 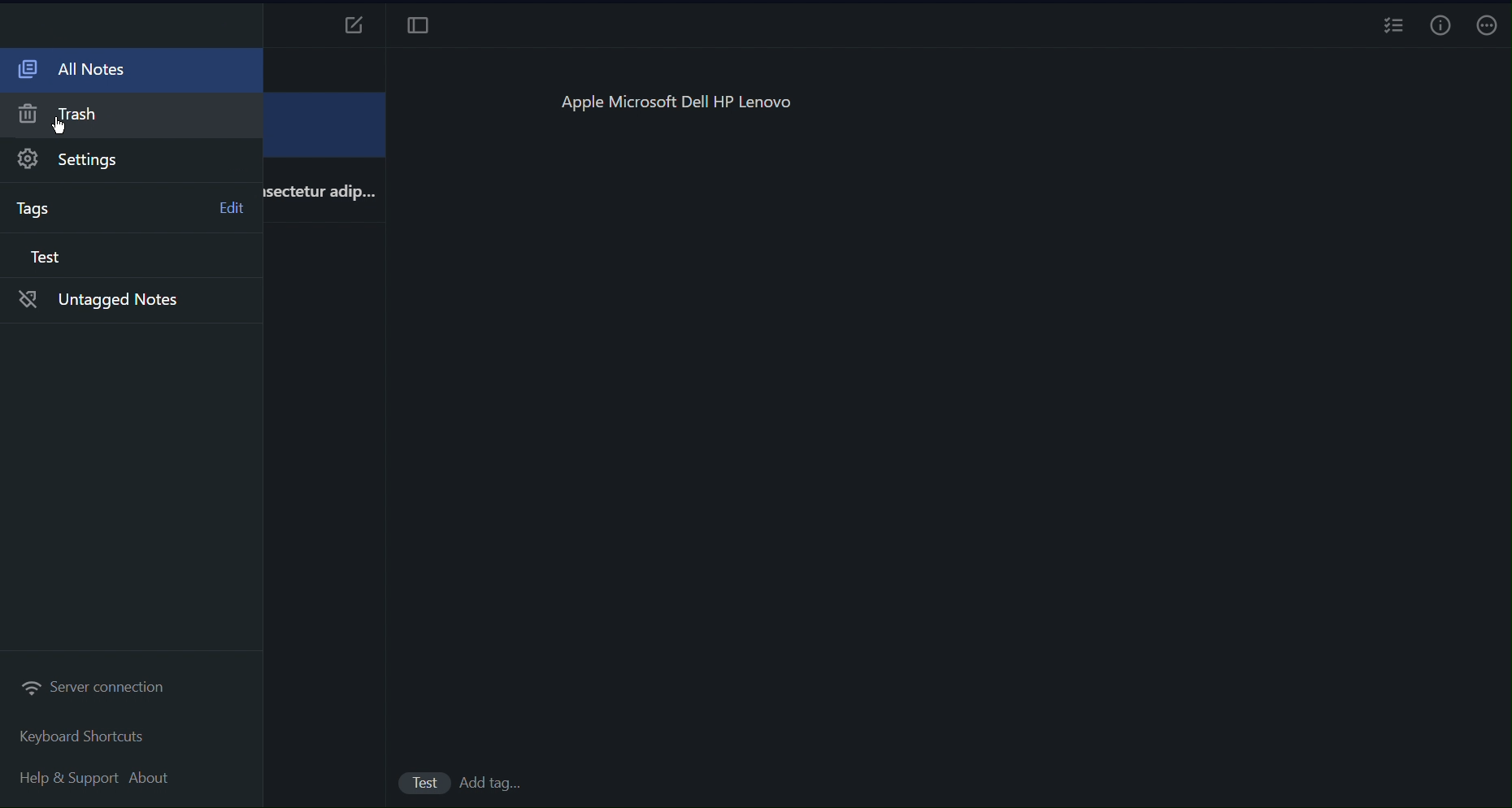 What do you see at coordinates (130, 72) in the screenshot?
I see `All Notes` at bounding box center [130, 72].